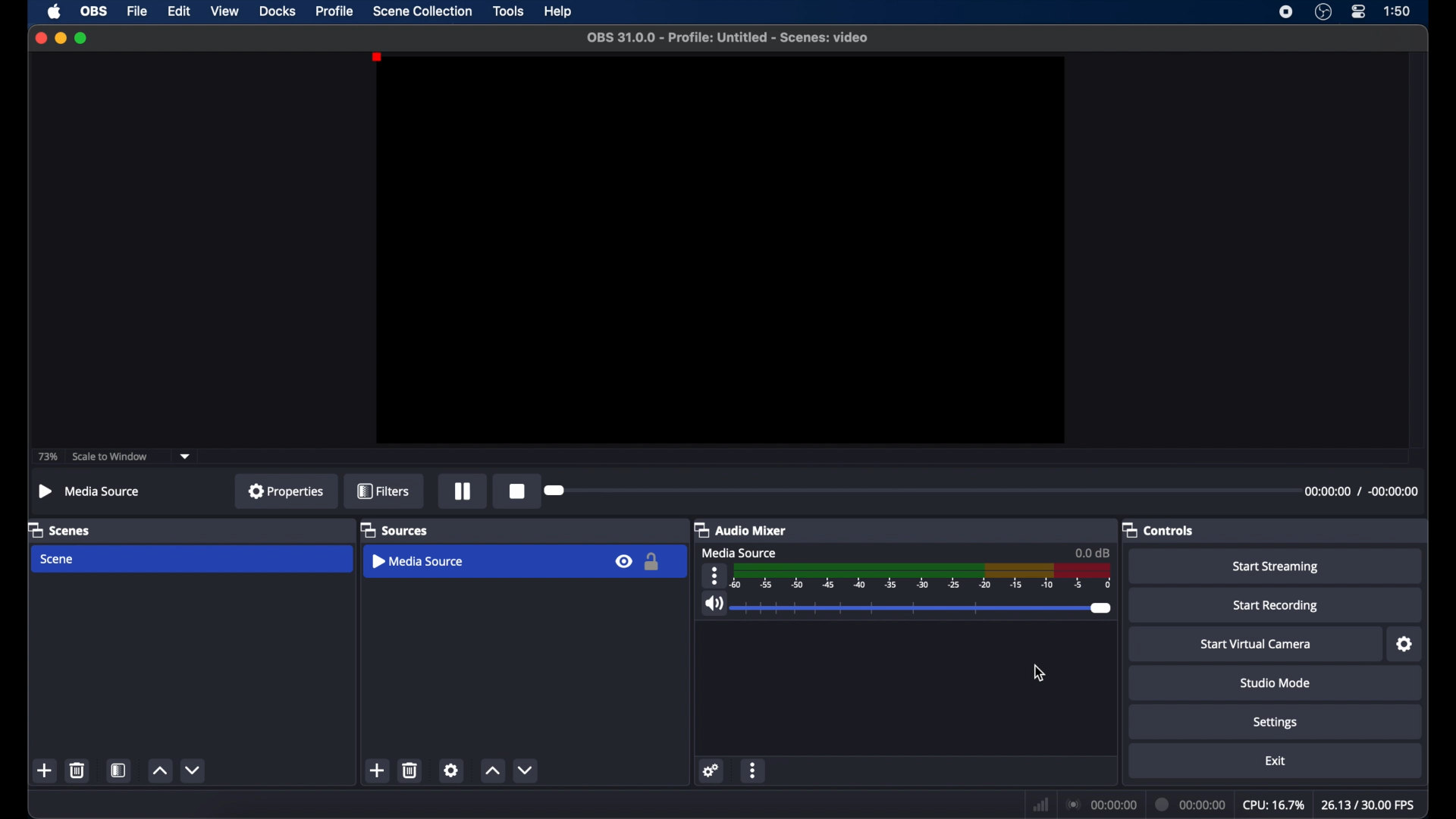  Describe the element at coordinates (1368, 805) in the screenshot. I see `fps` at that location.